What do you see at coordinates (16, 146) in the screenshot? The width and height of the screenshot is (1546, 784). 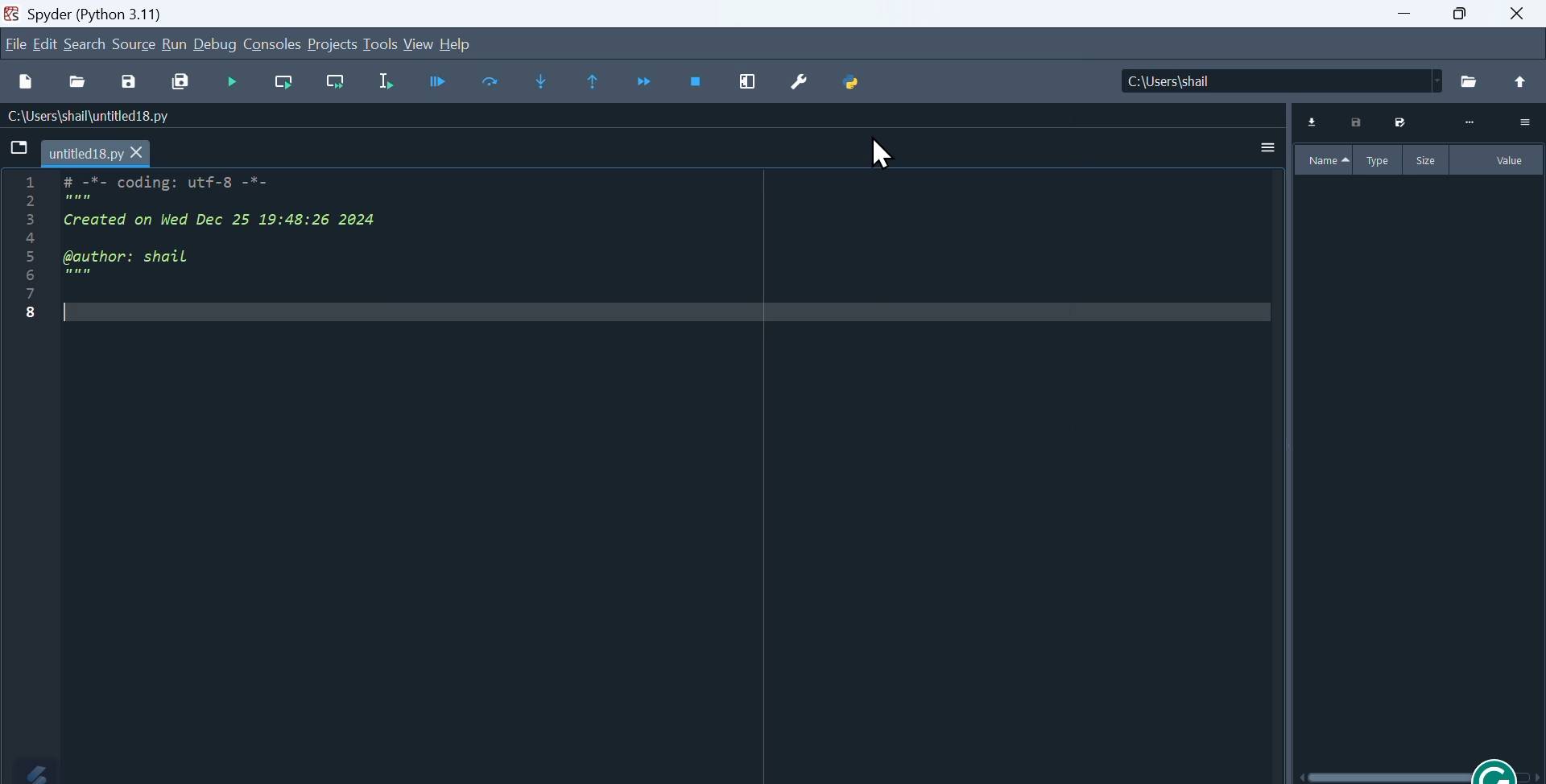 I see `files` at bounding box center [16, 146].